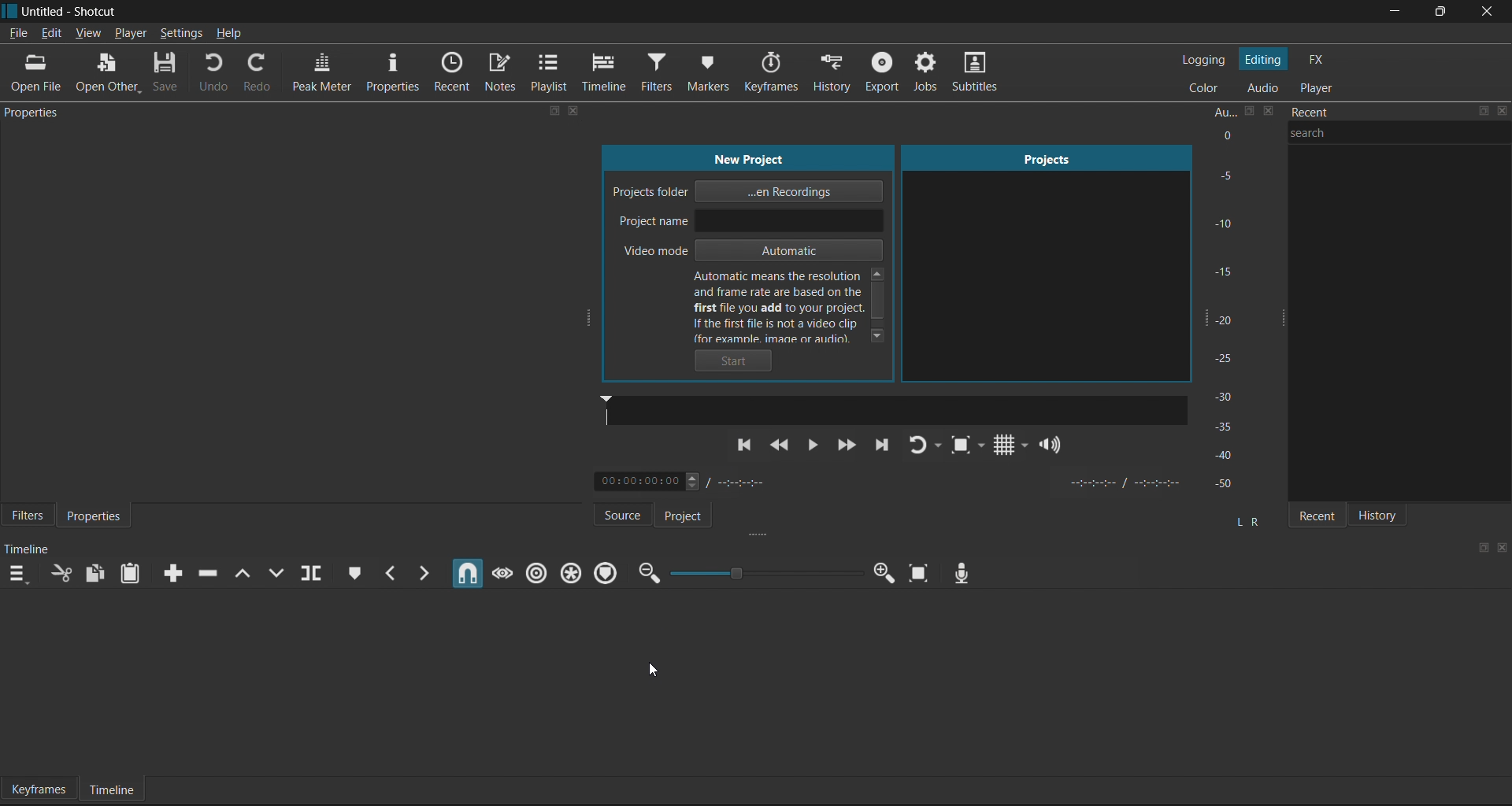  I want to click on close, so click(1502, 546).